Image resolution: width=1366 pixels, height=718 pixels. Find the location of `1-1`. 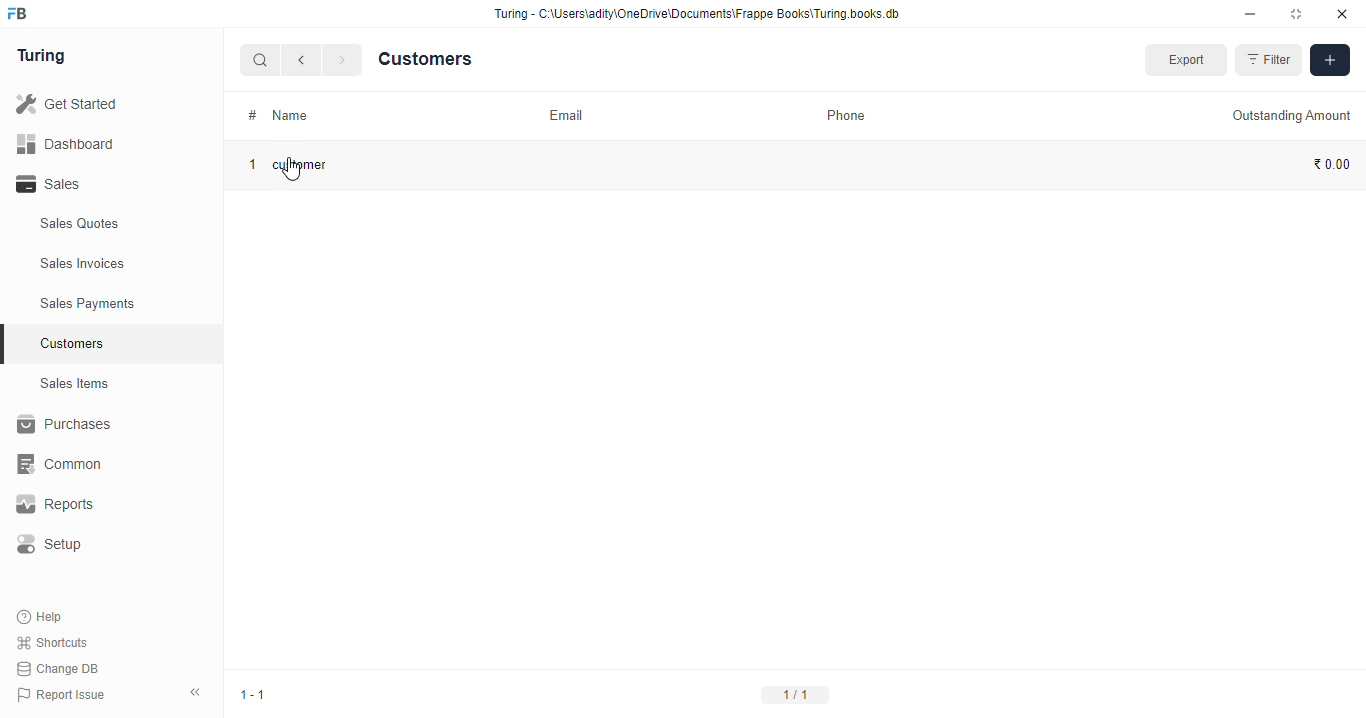

1-1 is located at coordinates (259, 693).